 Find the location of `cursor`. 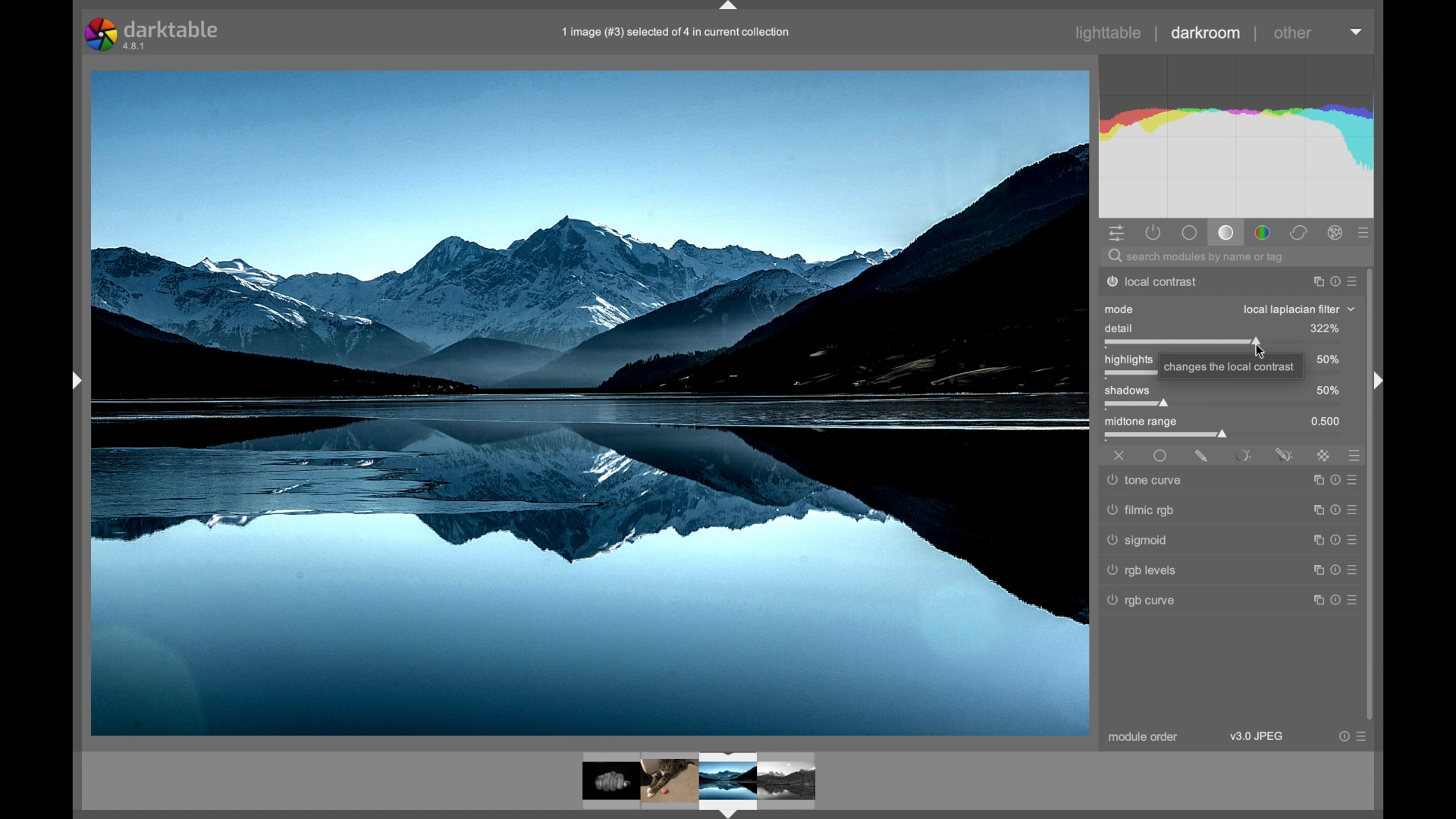

cursor is located at coordinates (1261, 353).